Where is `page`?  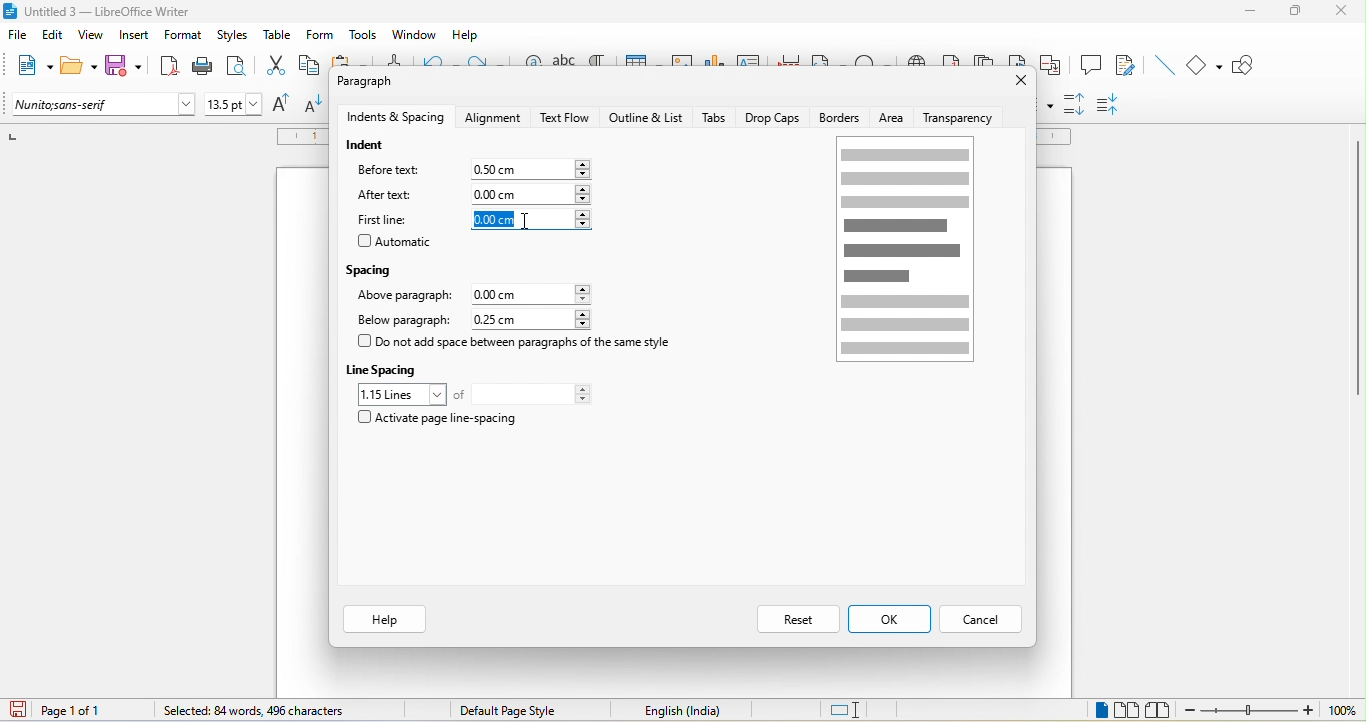
page is located at coordinates (906, 250).